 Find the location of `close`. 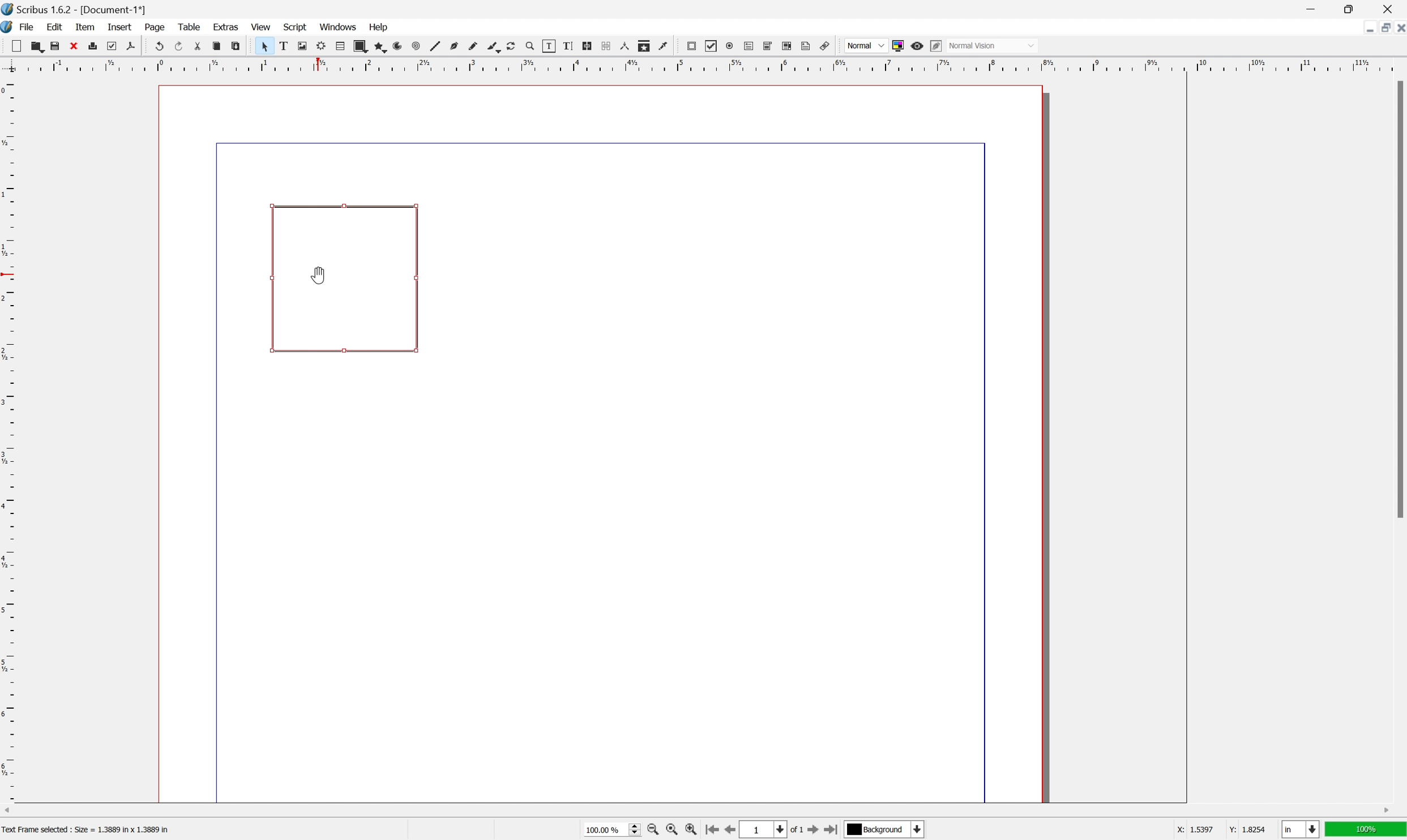

close is located at coordinates (1398, 29).